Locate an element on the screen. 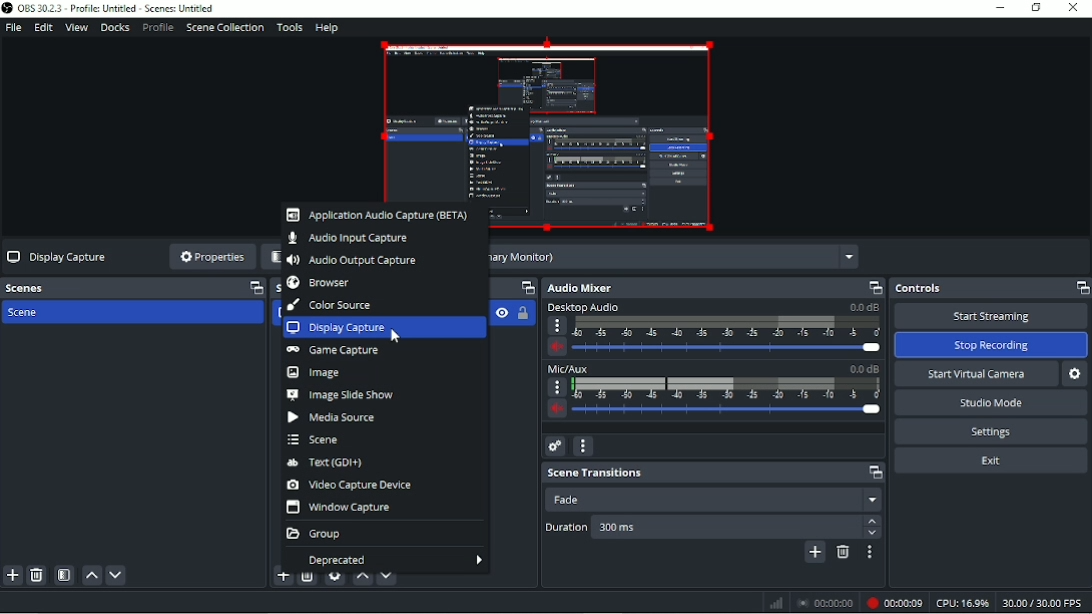 Image resolution: width=1092 pixels, height=614 pixels. down arrow is located at coordinates (873, 534).